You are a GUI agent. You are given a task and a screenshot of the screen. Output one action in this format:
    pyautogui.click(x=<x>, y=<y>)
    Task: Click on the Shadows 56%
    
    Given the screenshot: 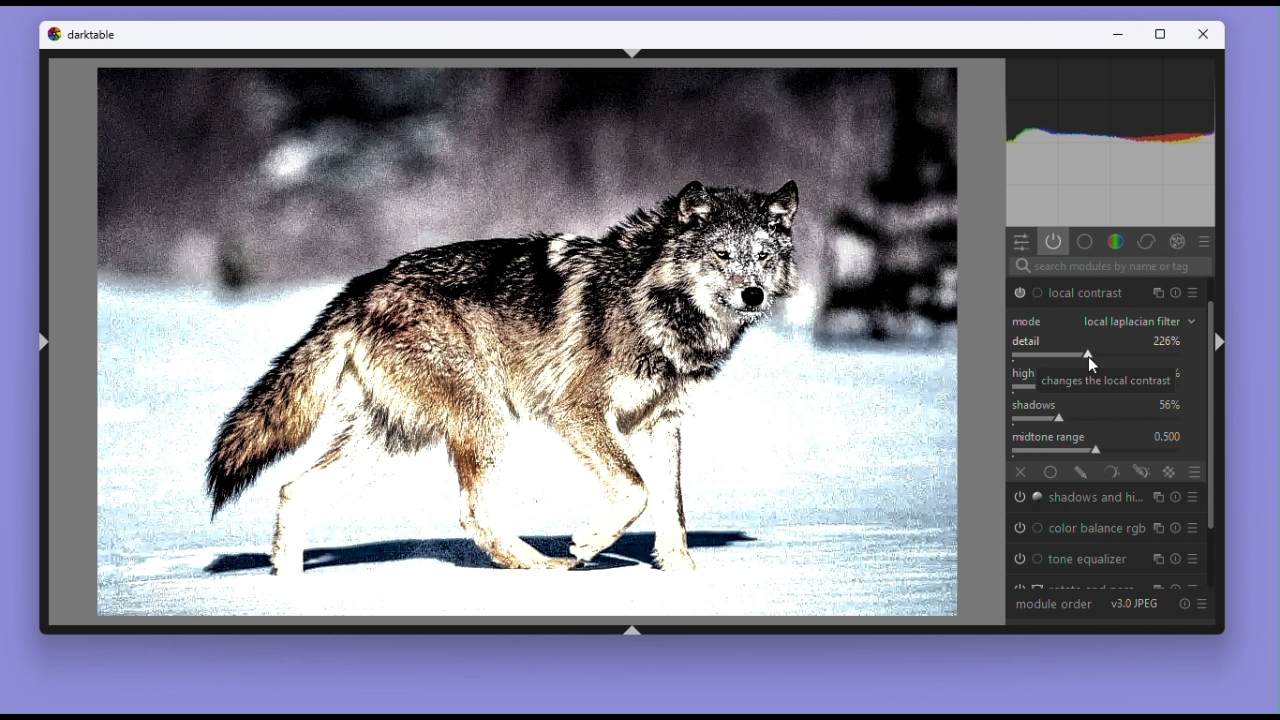 What is the action you would take?
    pyautogui.click(x=1107, y=403)
    